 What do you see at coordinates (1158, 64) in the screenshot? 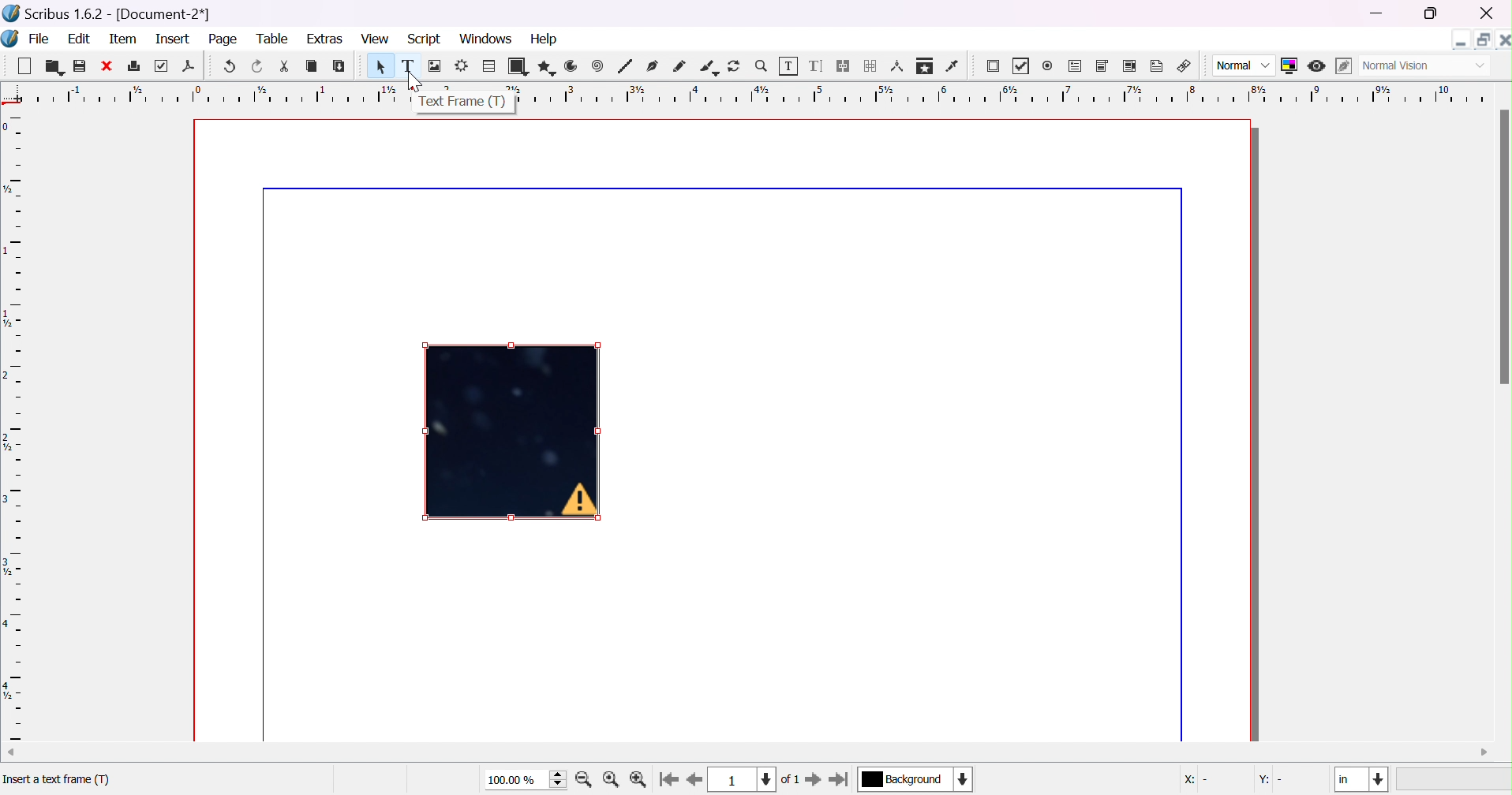
I see `text annotation` at bounding box center [1158, 64].